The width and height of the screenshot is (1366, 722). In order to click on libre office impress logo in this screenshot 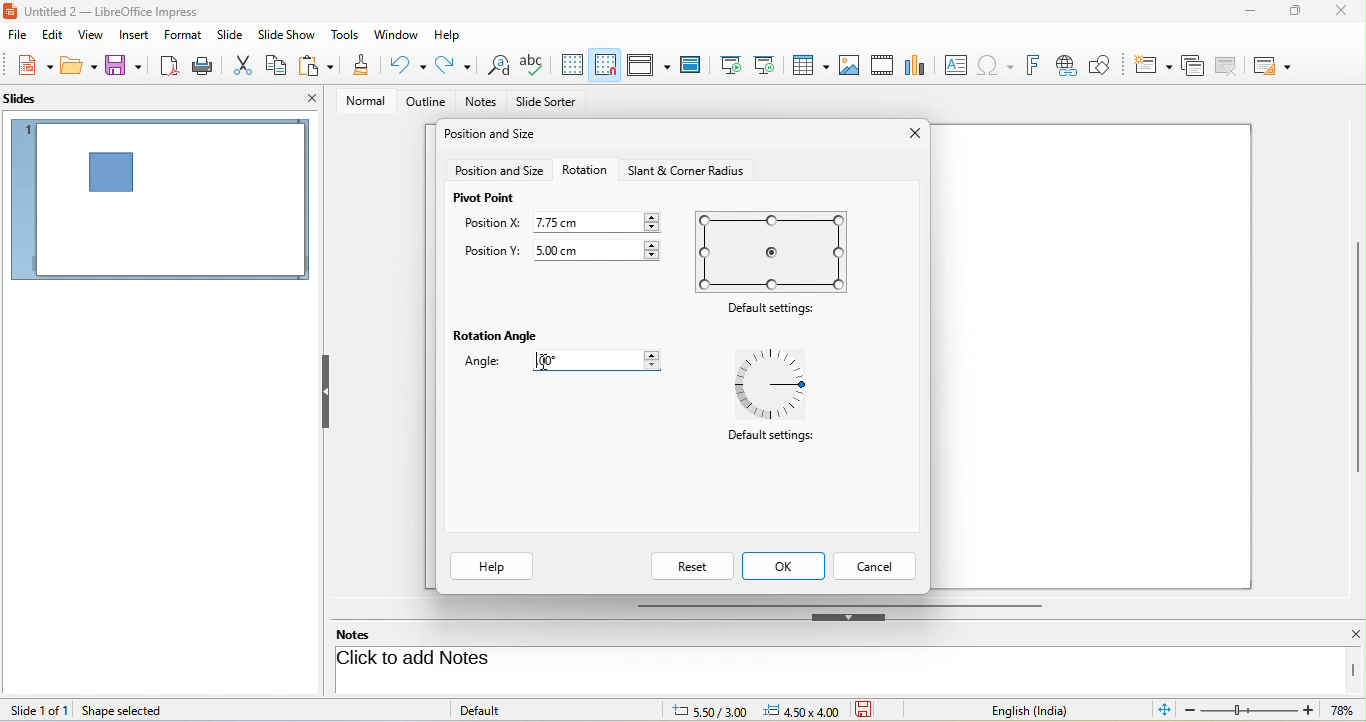, I will do `click(9, 10)`.